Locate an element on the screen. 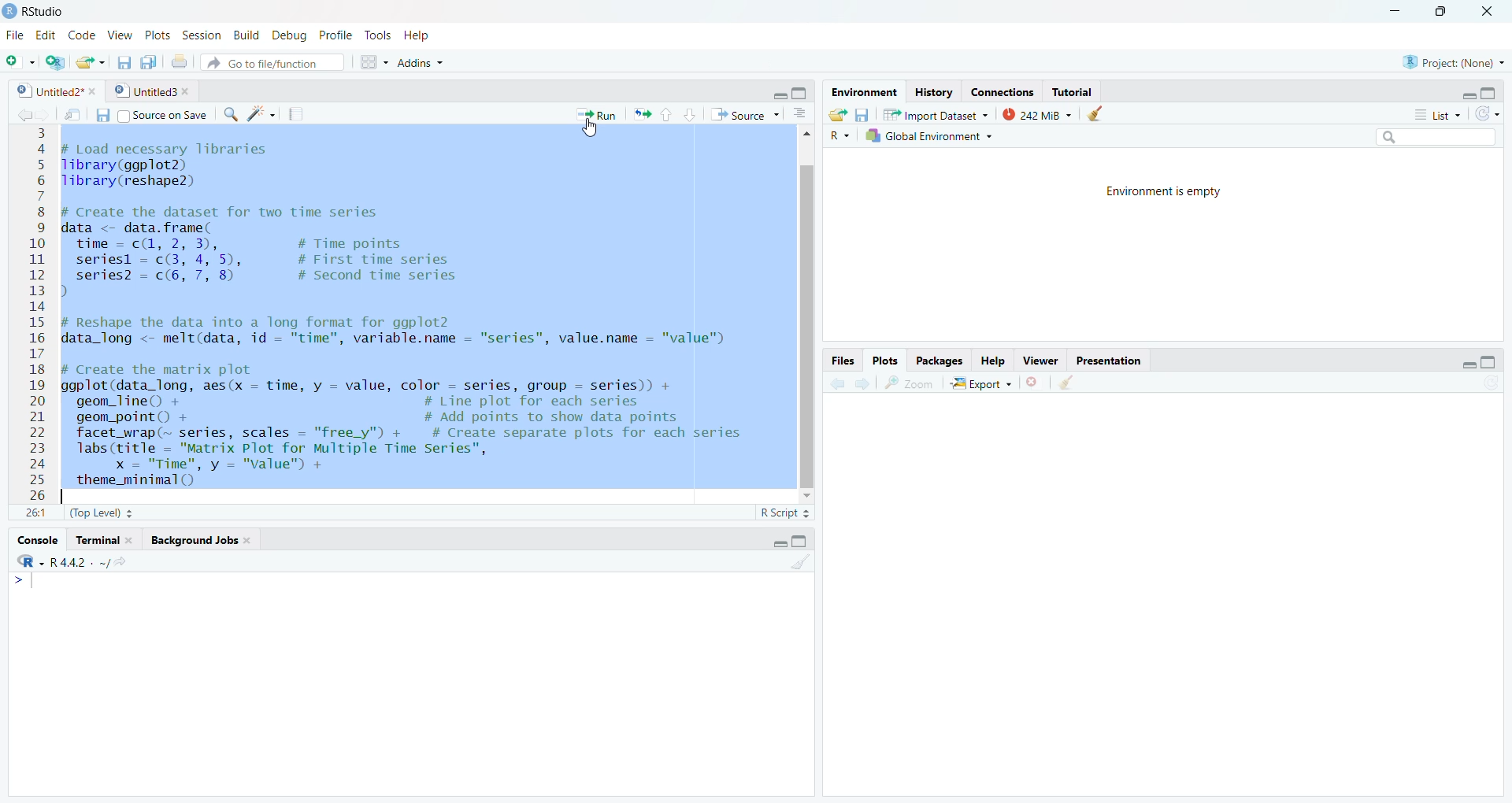 This screenshot has height=803, width=1512. Console is located at coordinates (37, 540).